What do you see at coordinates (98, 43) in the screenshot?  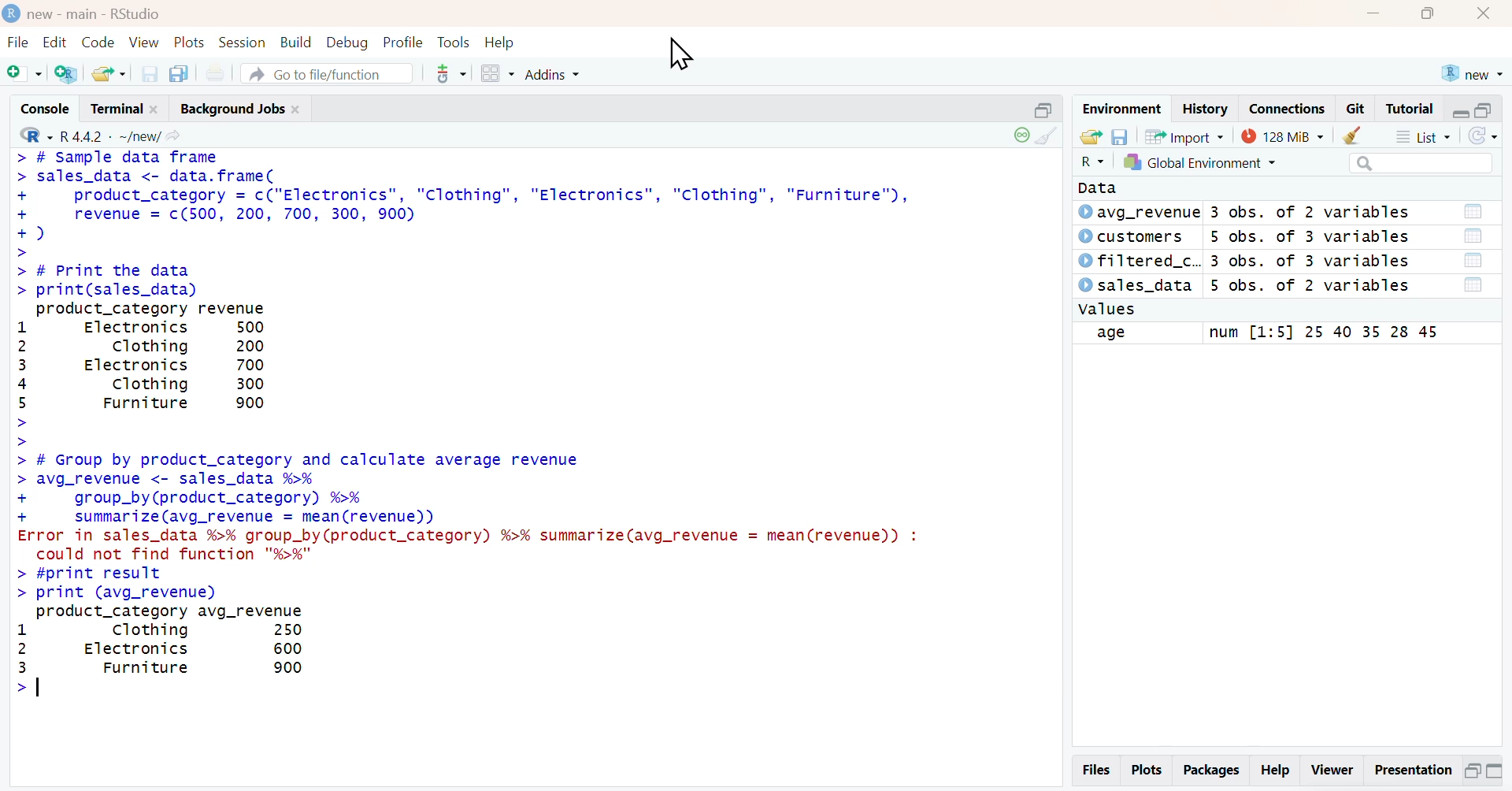 I see `Code` at bounding box center [98, 43].